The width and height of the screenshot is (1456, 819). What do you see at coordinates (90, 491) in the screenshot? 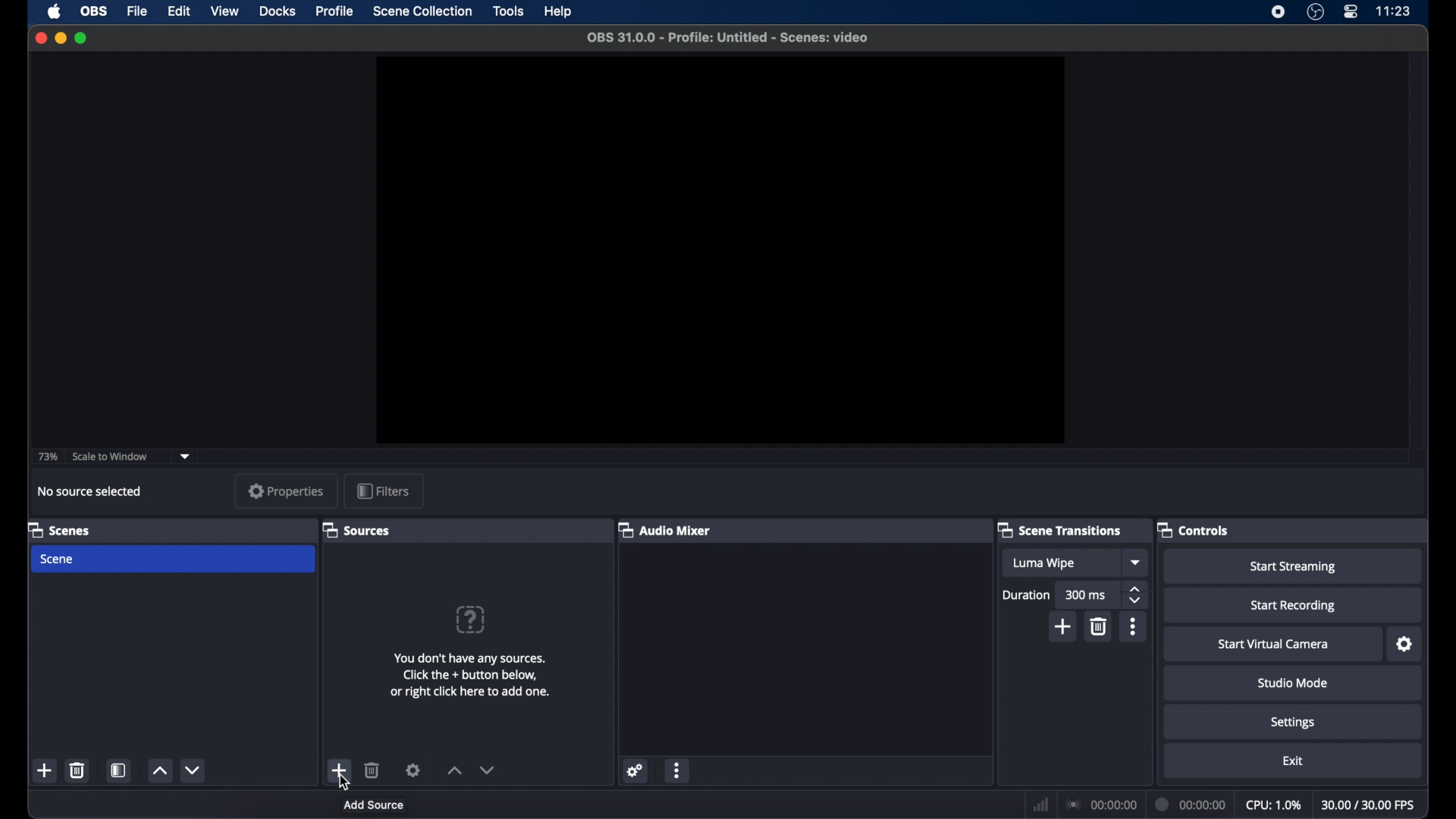
I see `no source selected` at bounding box center [90, 491].